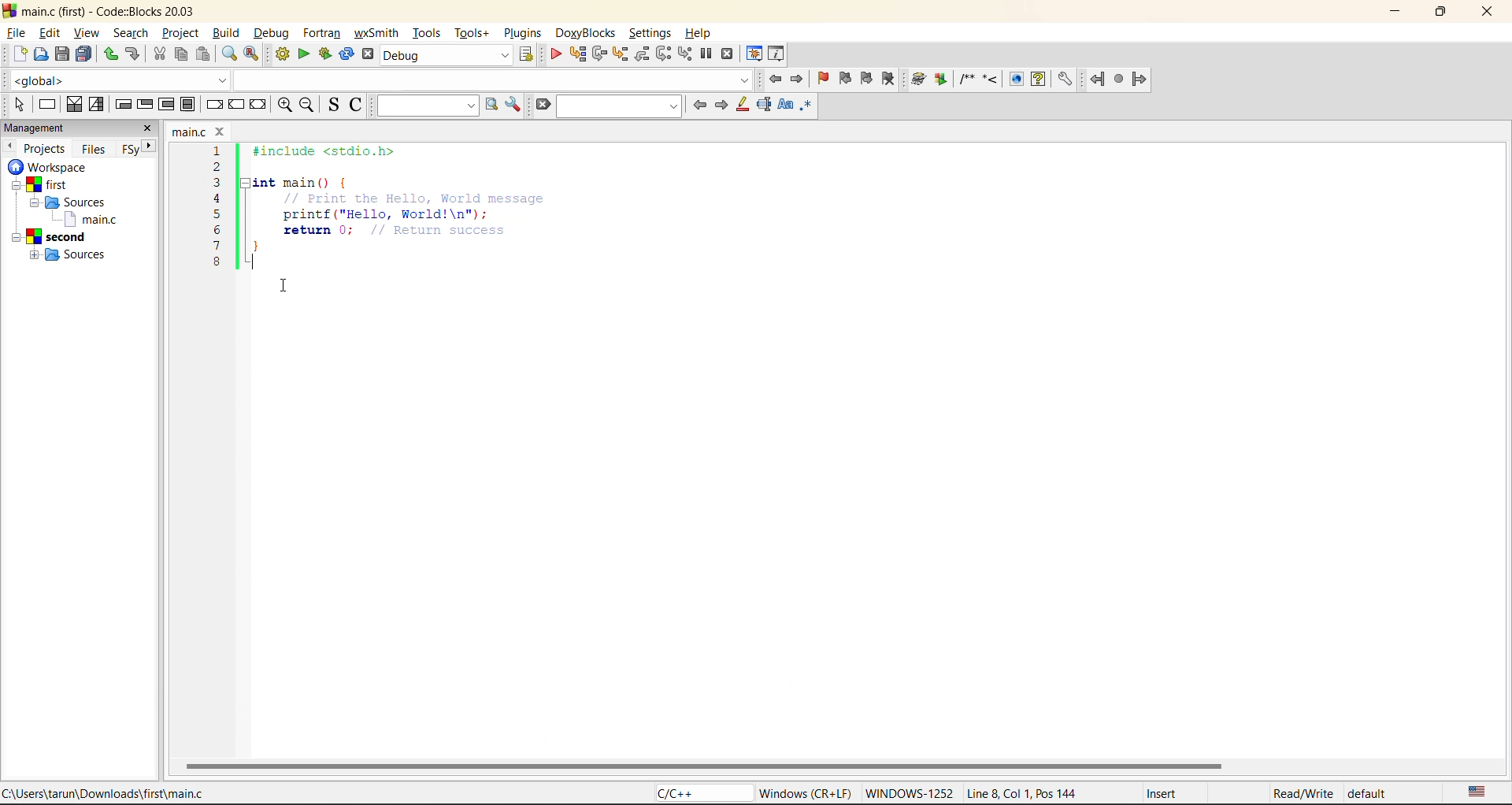  Describe the element at coordinates (732, 54) in the screenshot. I see `stop debugger` at that location.